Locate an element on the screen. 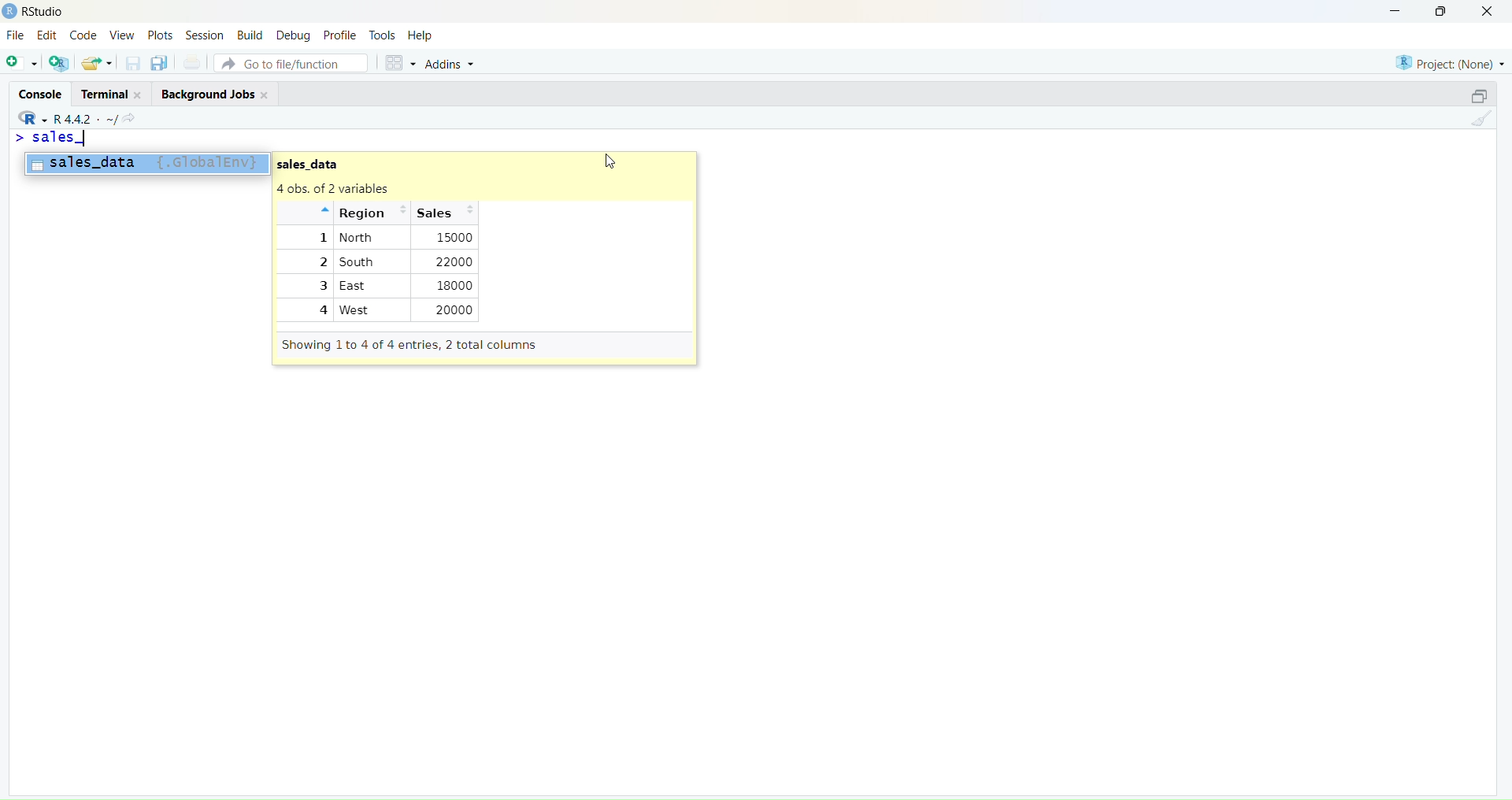  Code is located at coordinates (84, 35).